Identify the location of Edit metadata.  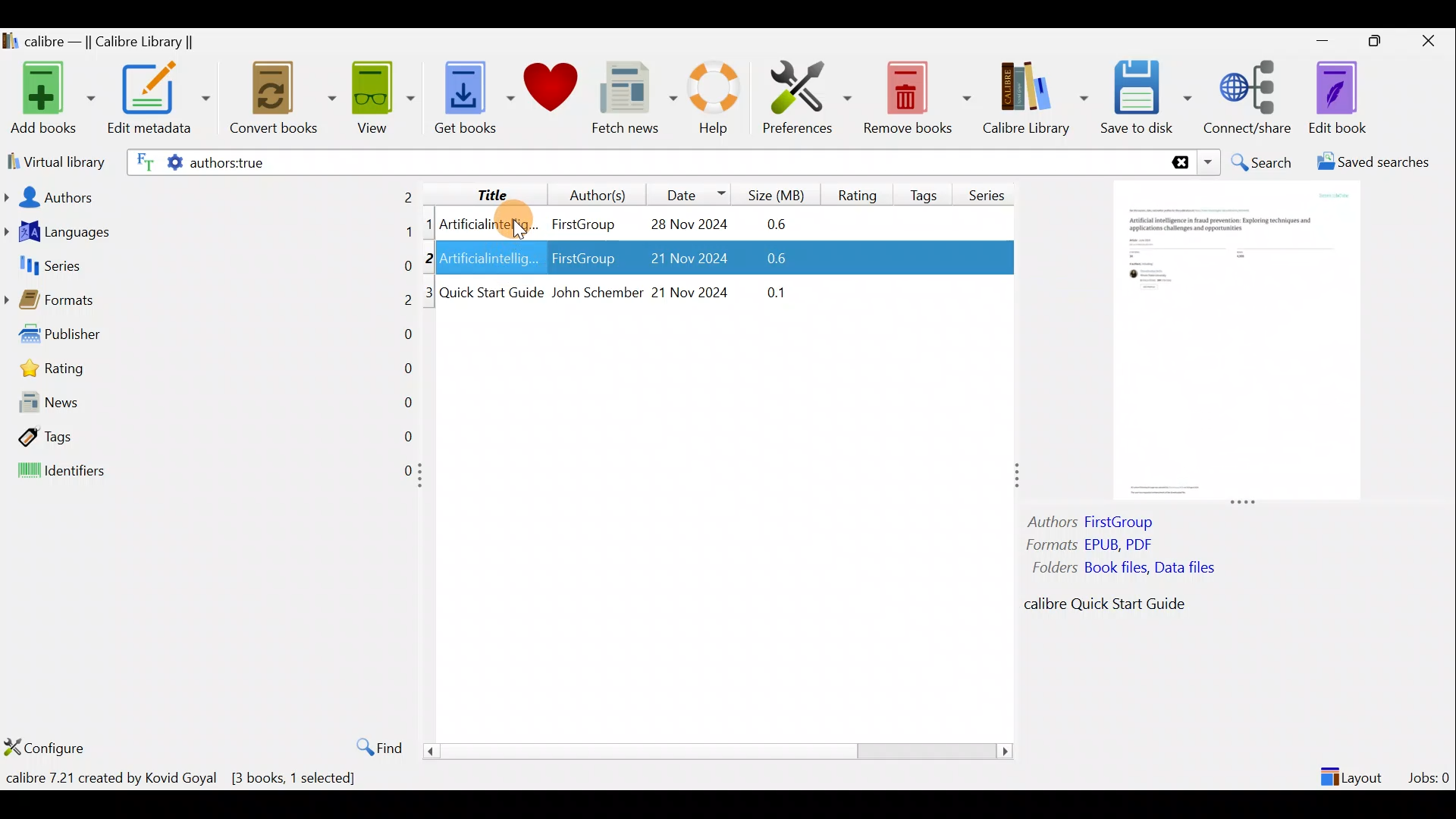
(158, 101).